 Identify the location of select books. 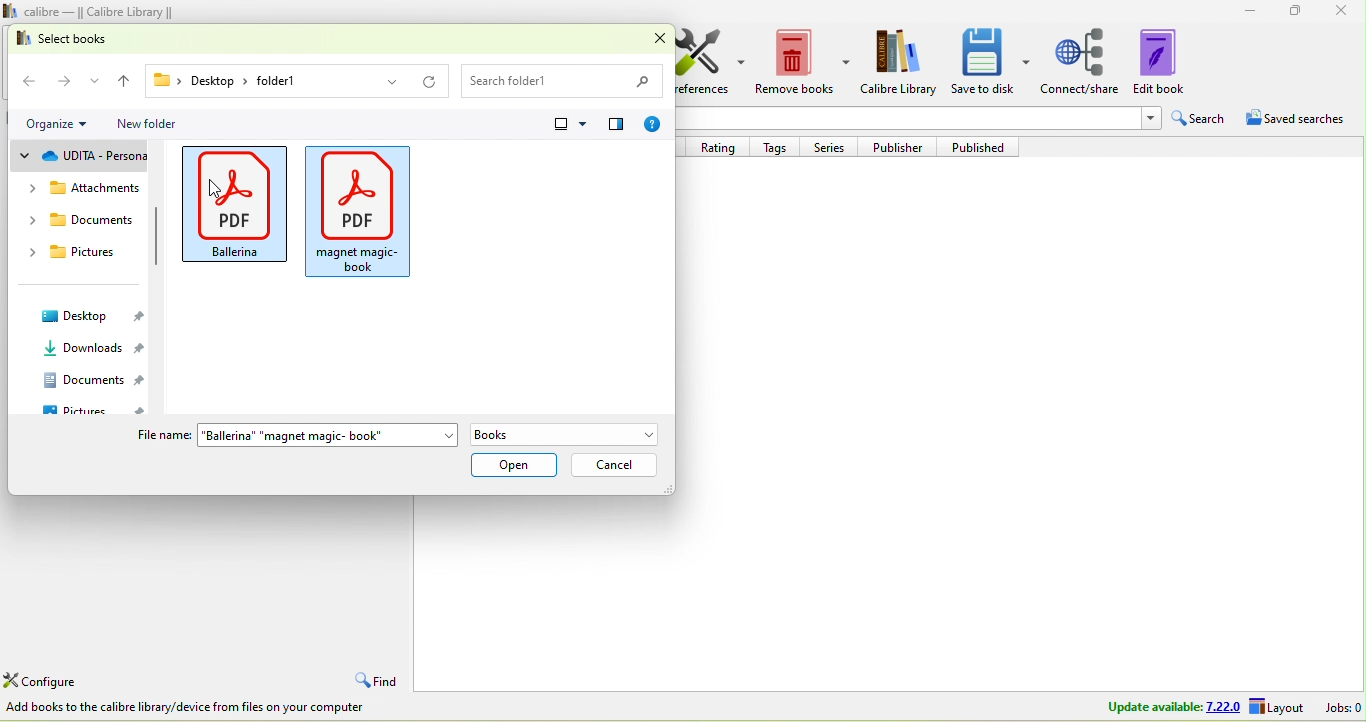
(87, 39).